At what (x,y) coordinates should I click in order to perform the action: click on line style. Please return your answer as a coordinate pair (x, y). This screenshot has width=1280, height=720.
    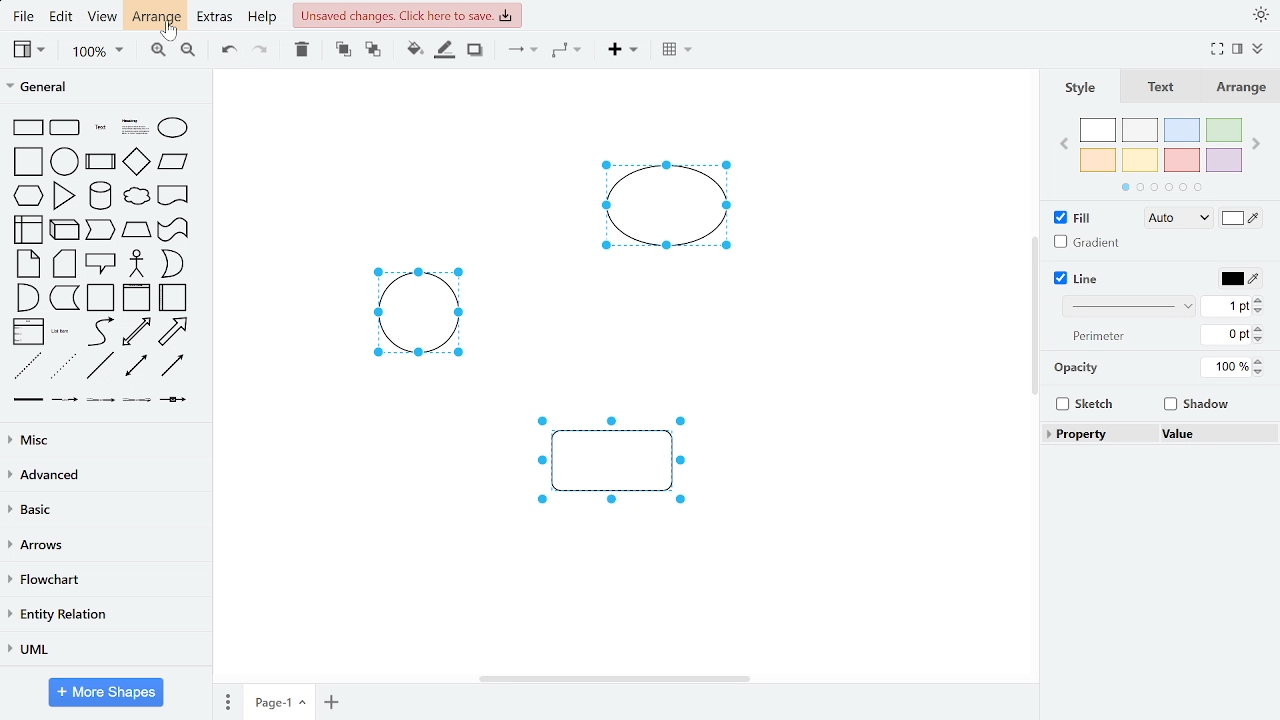
    Looking at the image, I should click on (1126, 307).